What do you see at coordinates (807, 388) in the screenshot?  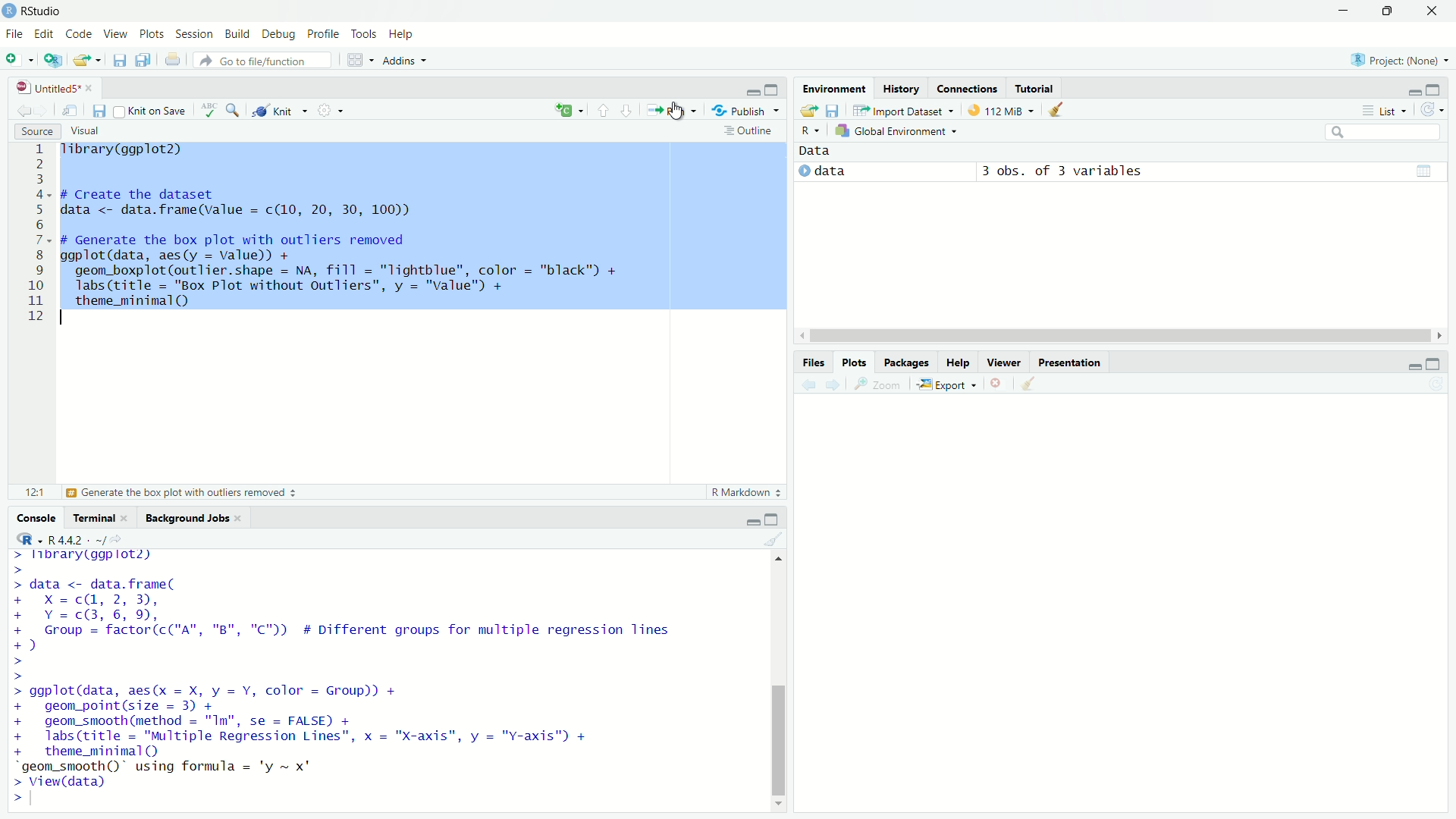 I see `back` at bounding box center [807, 388].